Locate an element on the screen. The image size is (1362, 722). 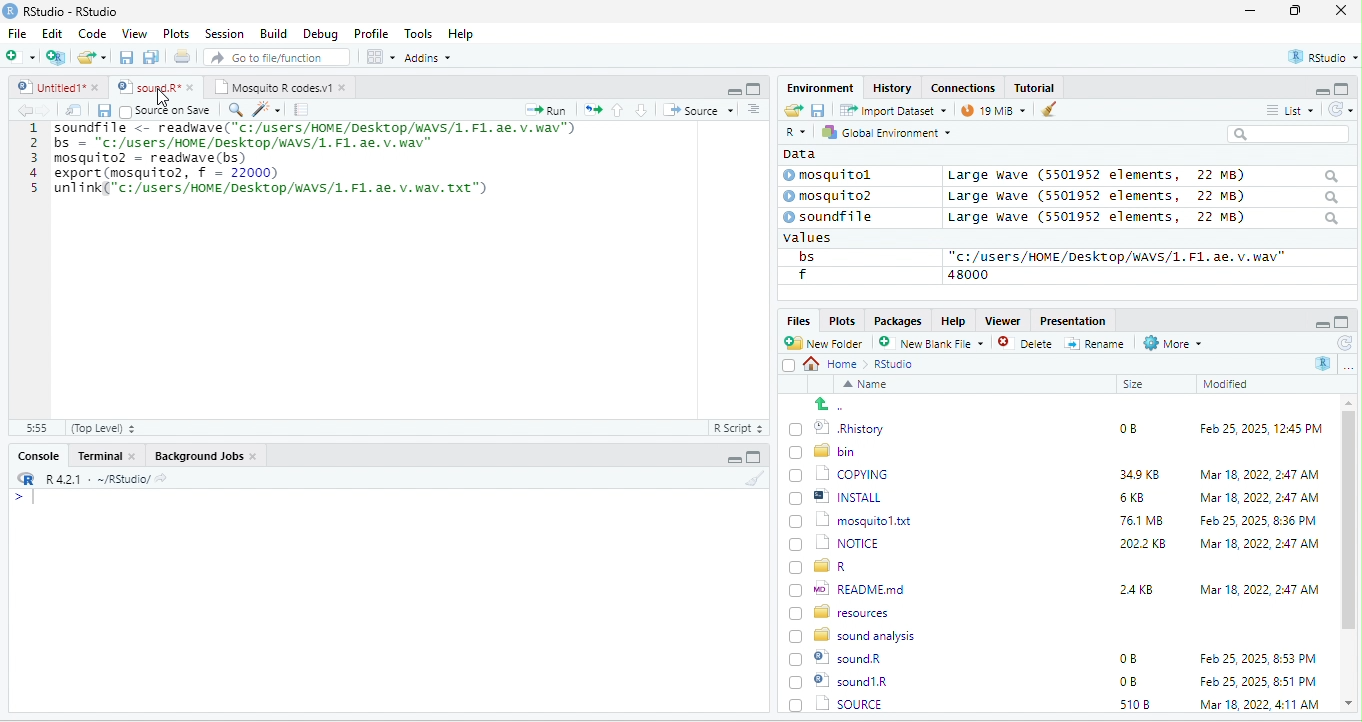
1 mosquitol.txt is located at coordinates (844, 519).